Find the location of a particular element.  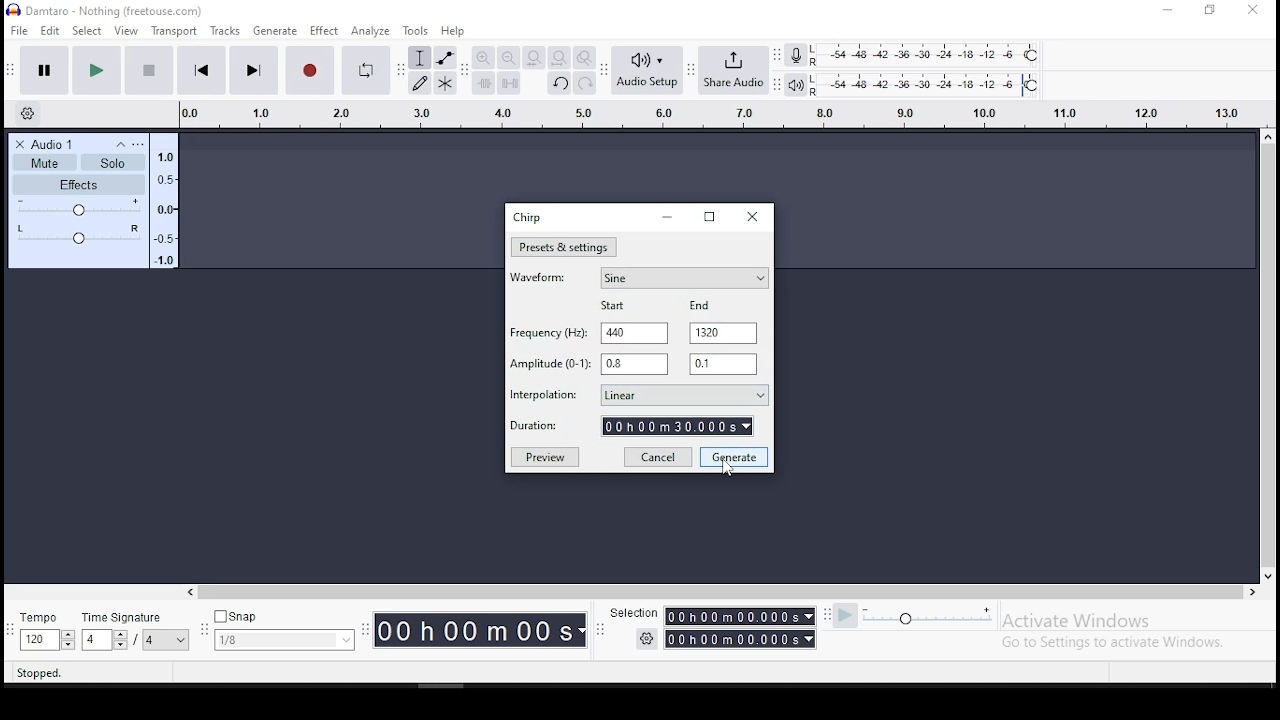

effect is located at coordinates (325, 31).